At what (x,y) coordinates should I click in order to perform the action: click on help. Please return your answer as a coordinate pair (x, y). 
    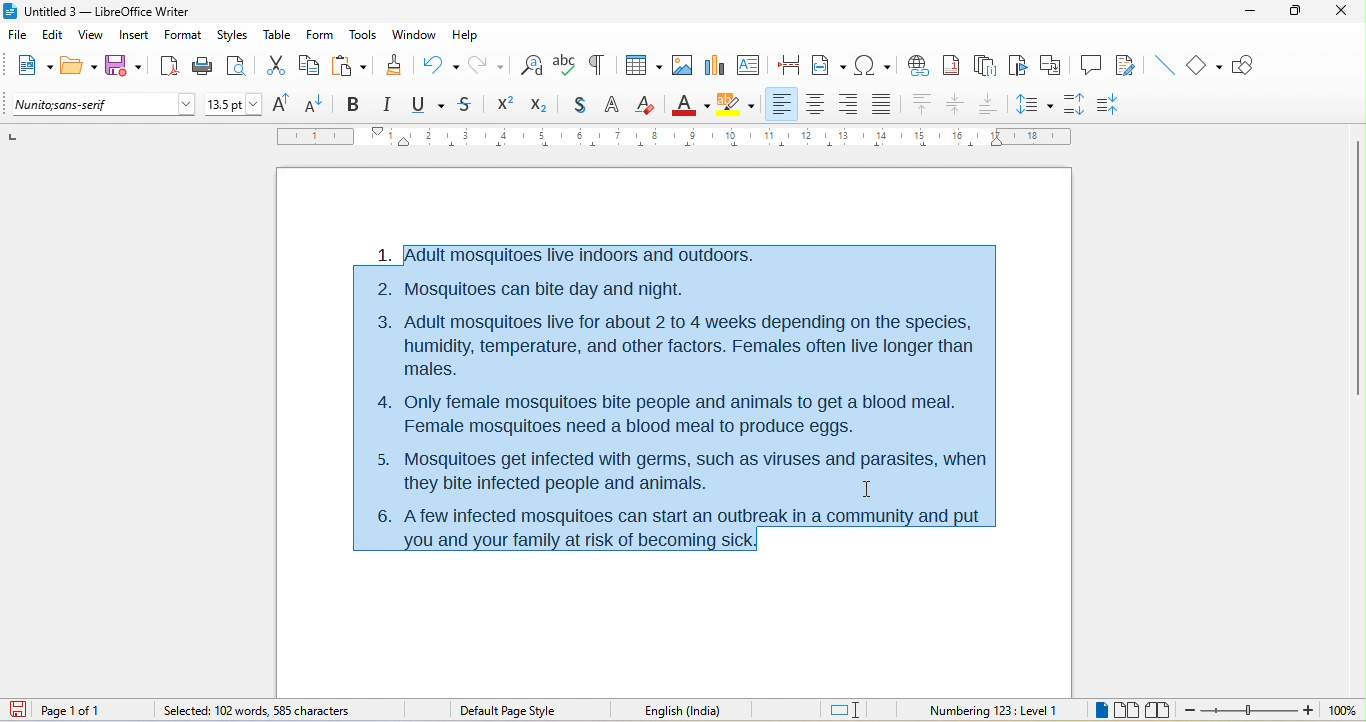
    Looking at the image, I should click on (468, 33).